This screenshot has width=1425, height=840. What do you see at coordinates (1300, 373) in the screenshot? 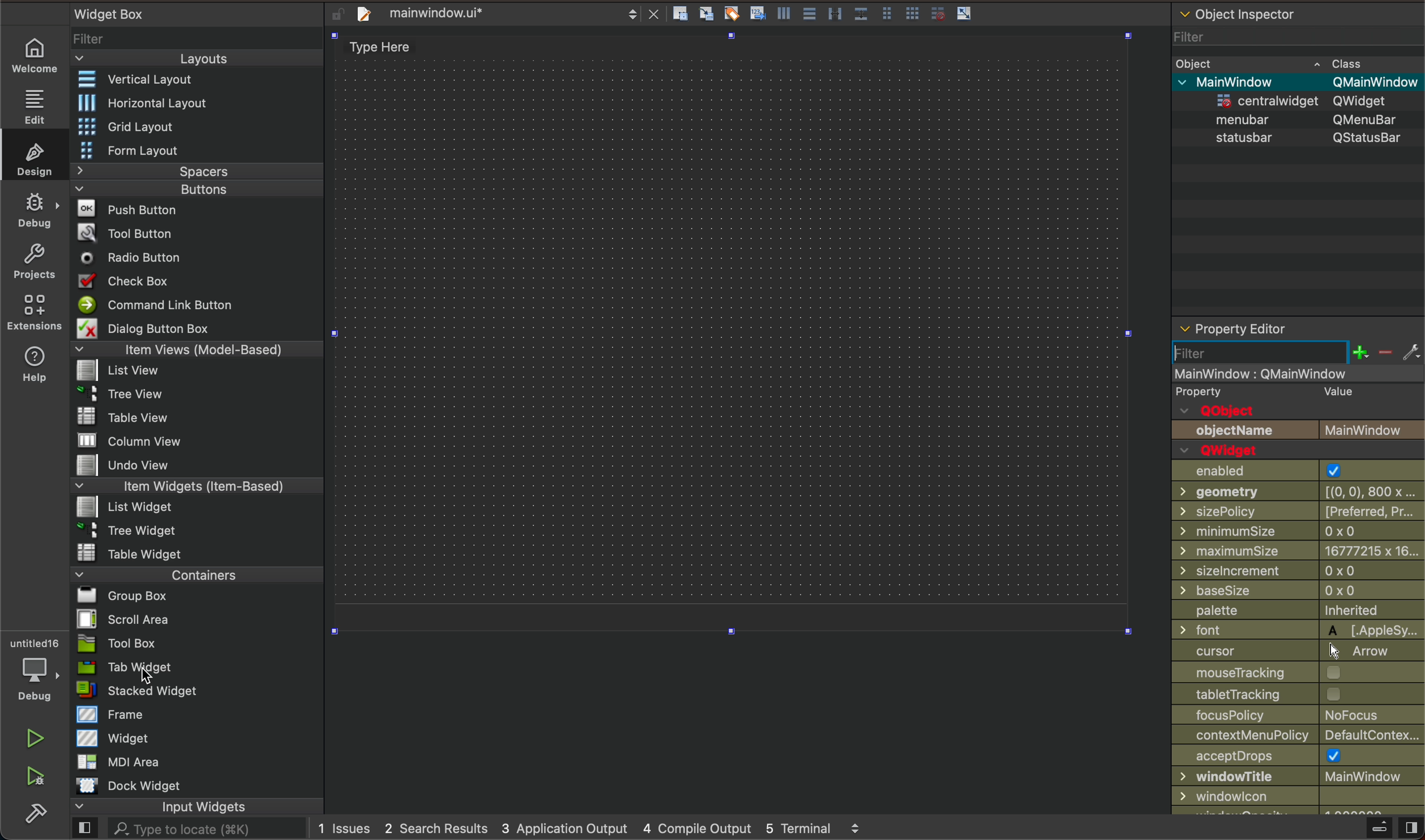
I see `mainwindow` at bounding box center [1300, 373].